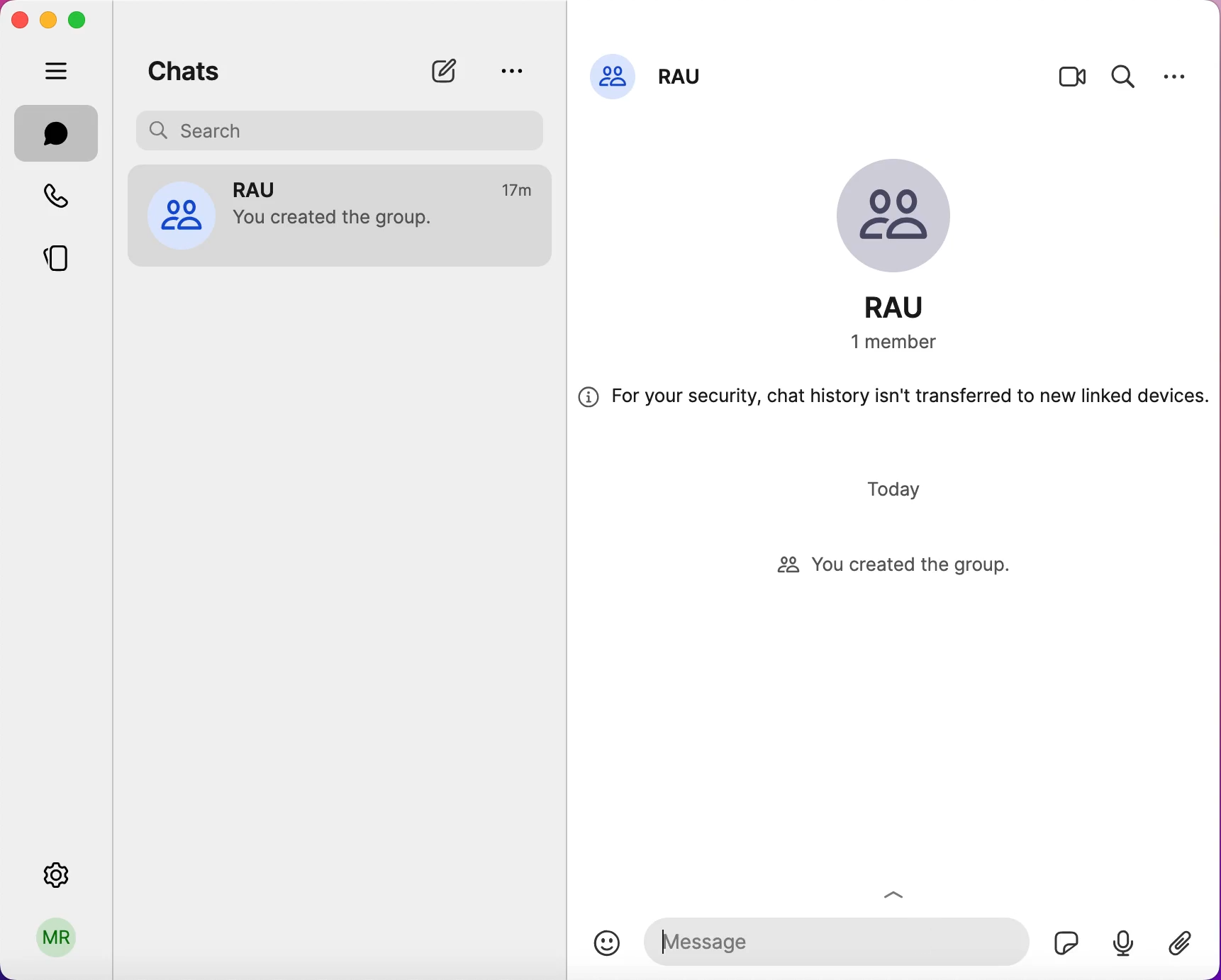 Image resolution: width=1221 pixels, height=980 pixels. What do you see at coordinates (57, 133) in the screenshot?
I see `chats` at bounding box center [57, 133].